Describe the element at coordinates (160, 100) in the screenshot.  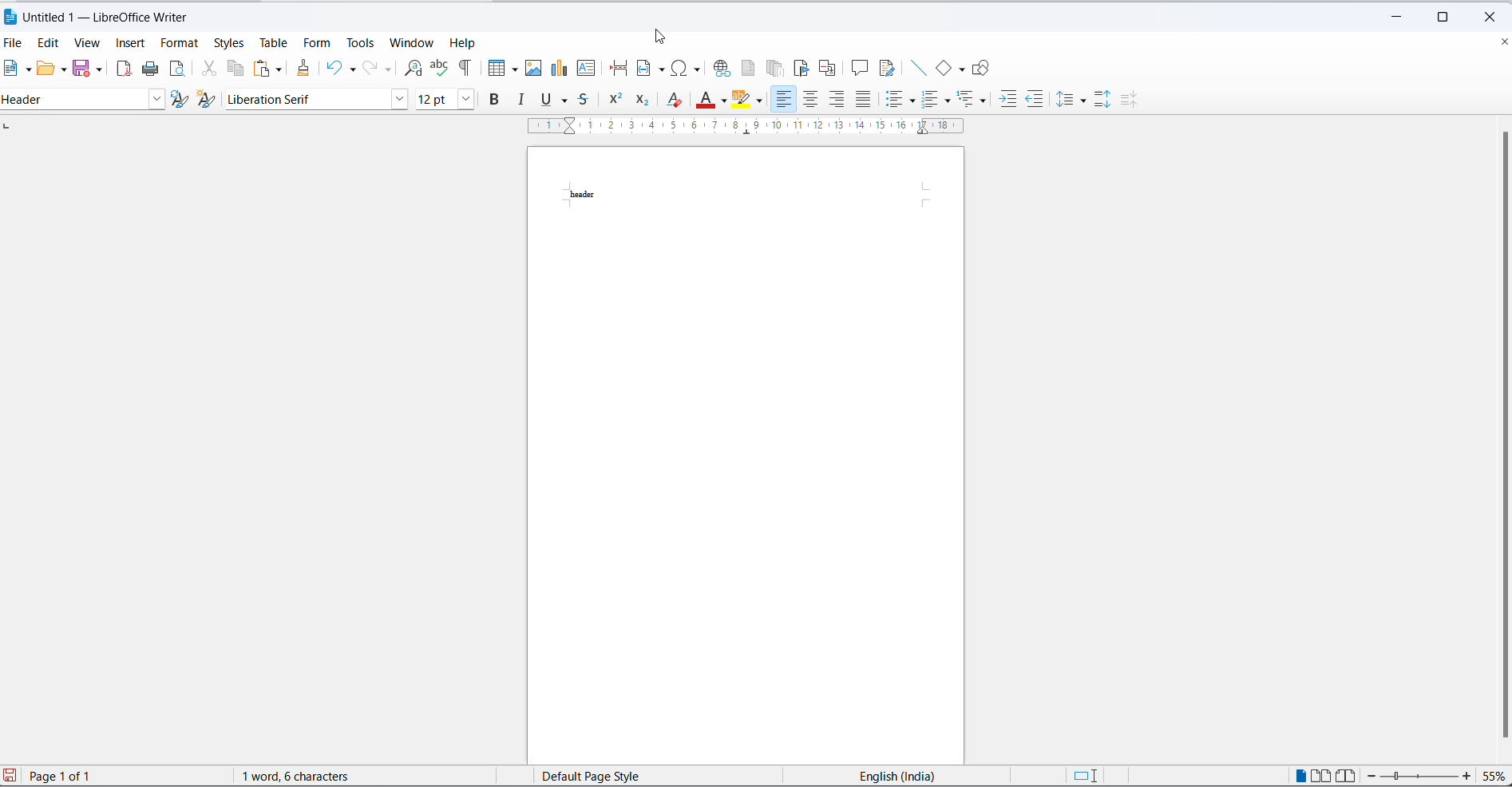
I see `style options` at that location.